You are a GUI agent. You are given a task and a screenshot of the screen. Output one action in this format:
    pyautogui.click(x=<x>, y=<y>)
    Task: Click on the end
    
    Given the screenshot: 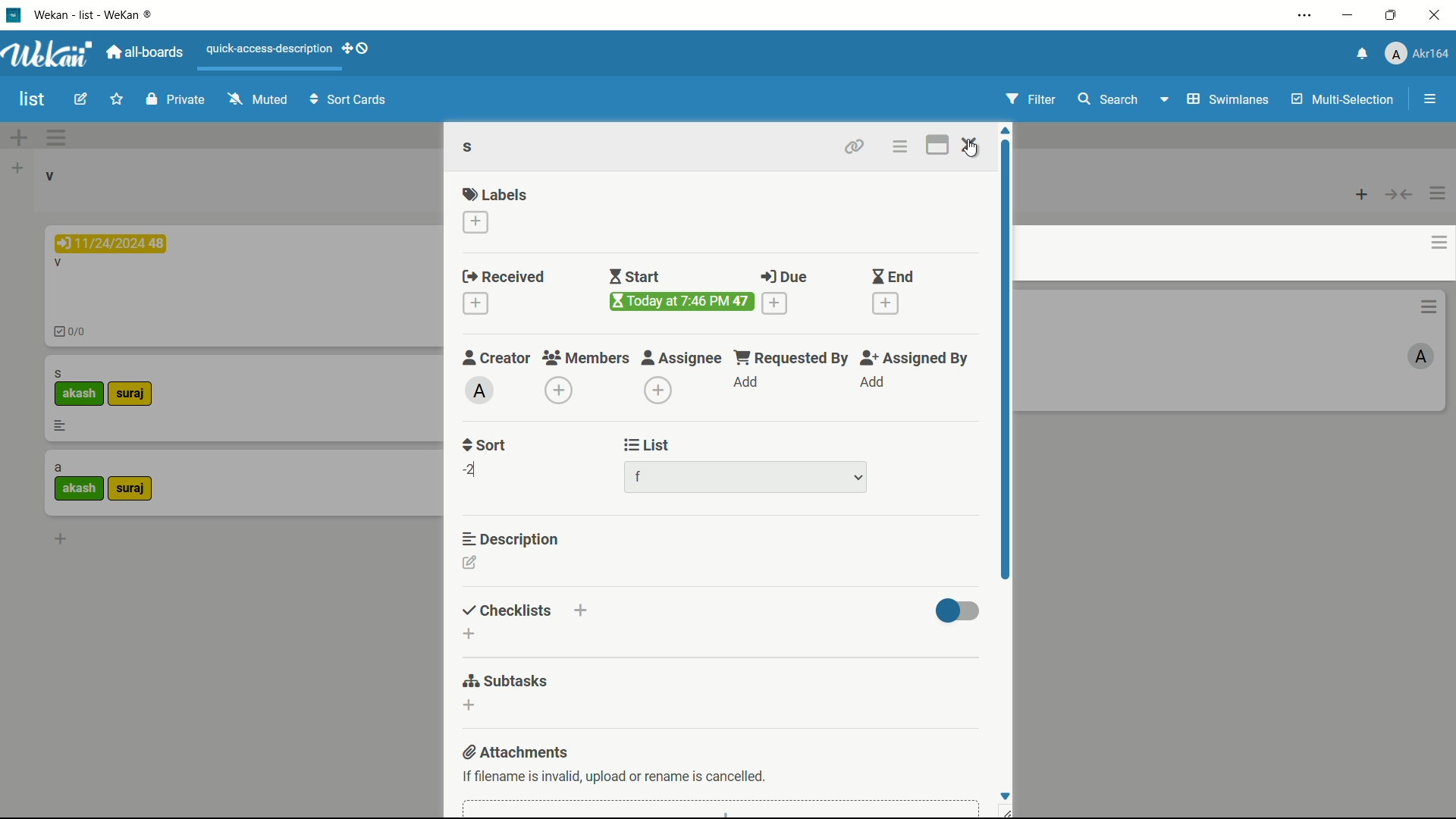 What is the action you would take?
    pyautogui.click(x=890, y=278)
    